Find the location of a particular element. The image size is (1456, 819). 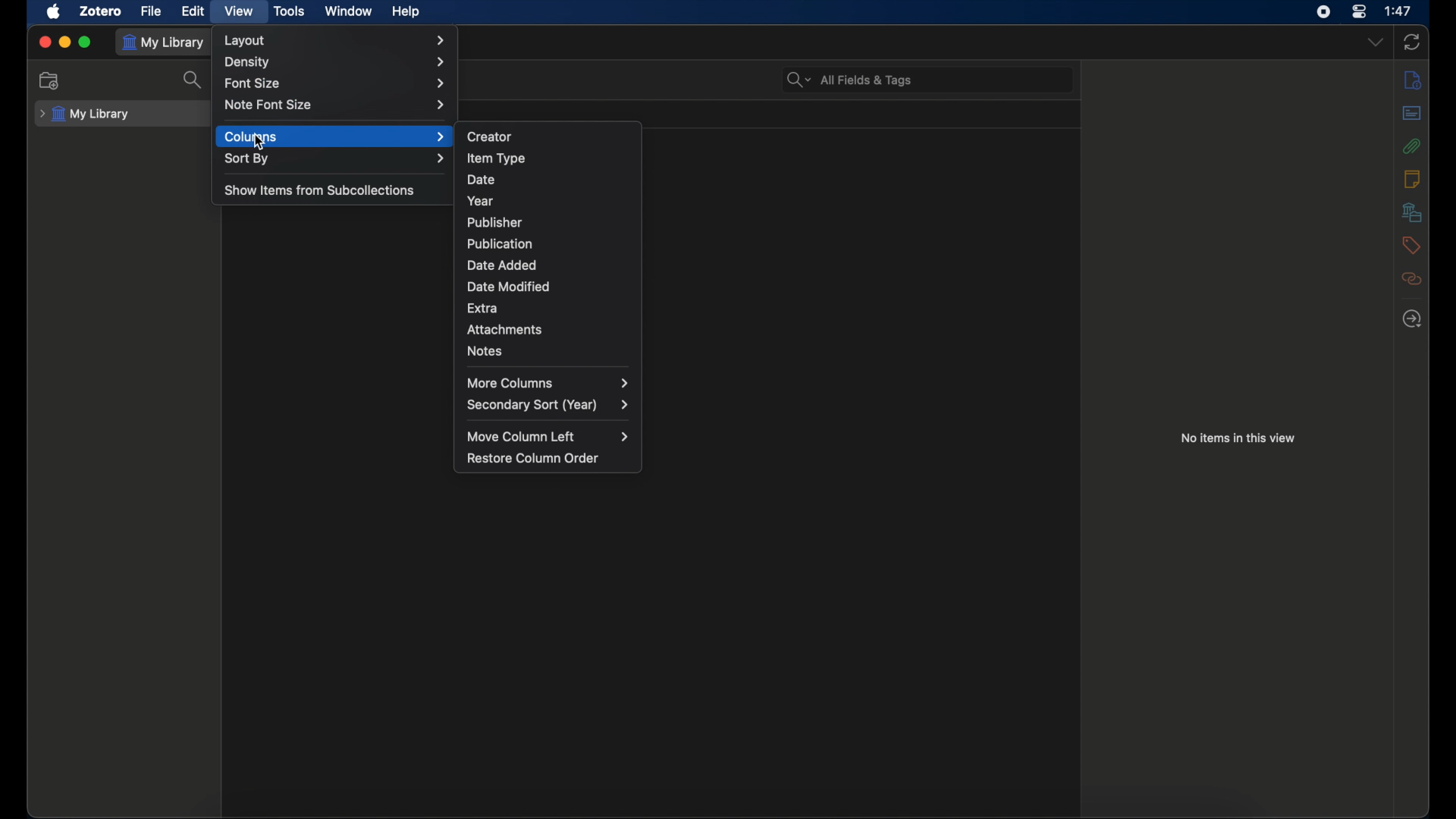

item type is located at coordinates (497, 158).